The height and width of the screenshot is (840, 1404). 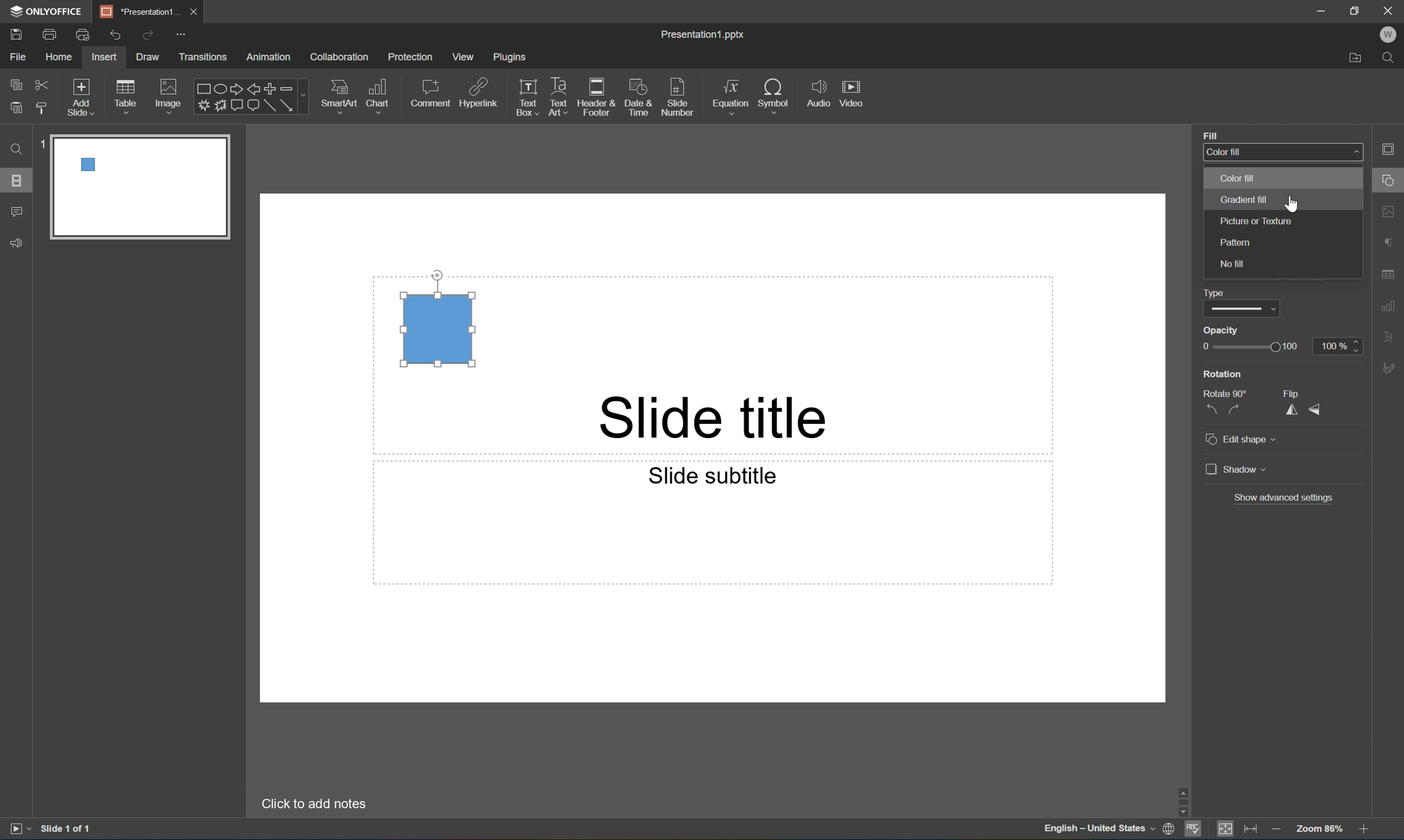 I want to click on Left arrow, so click(x=254, y=90).